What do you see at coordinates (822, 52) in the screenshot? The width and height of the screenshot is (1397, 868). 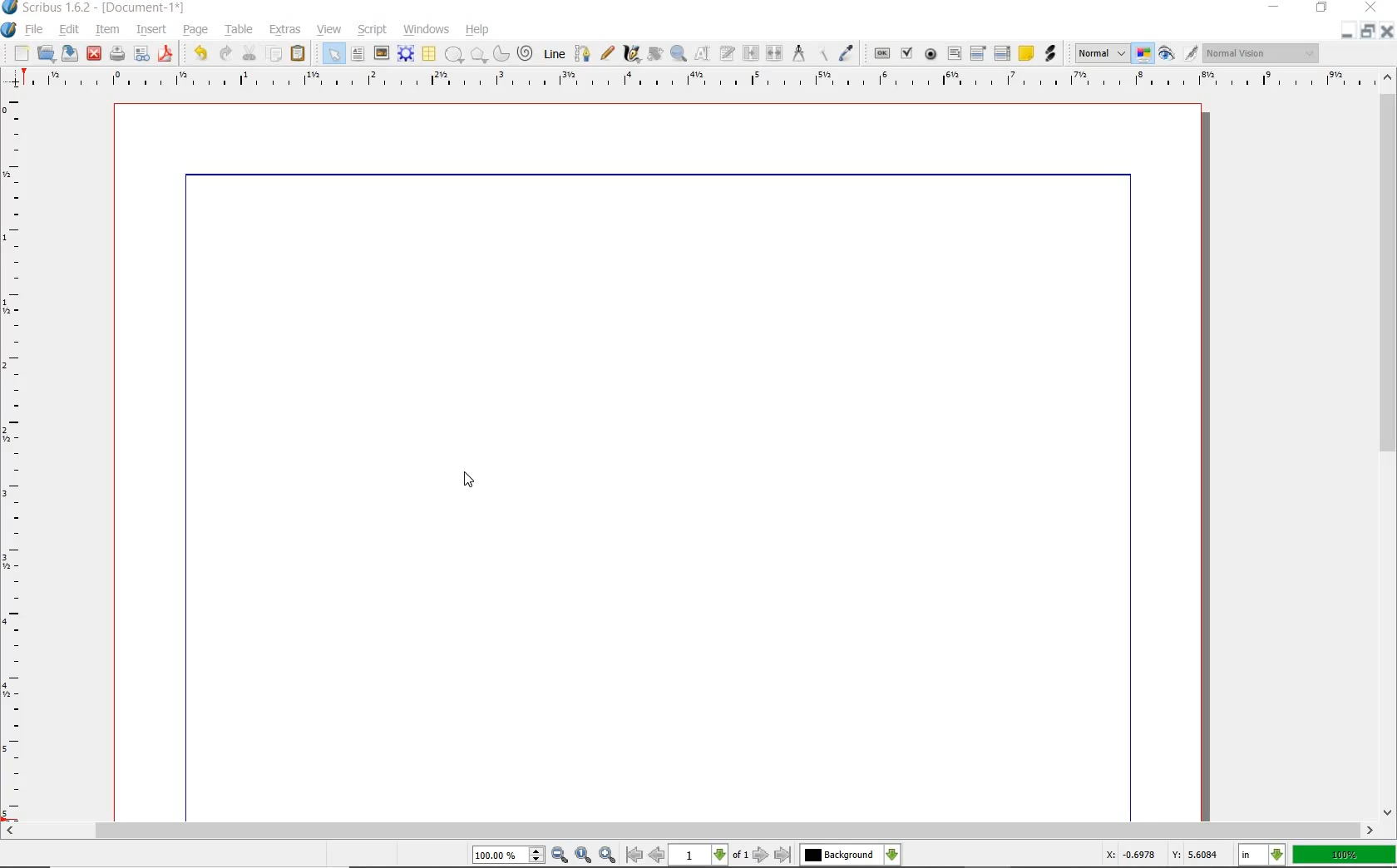 I see `COPY ITEM PROPERTIES` at bounding box center [822, 52].